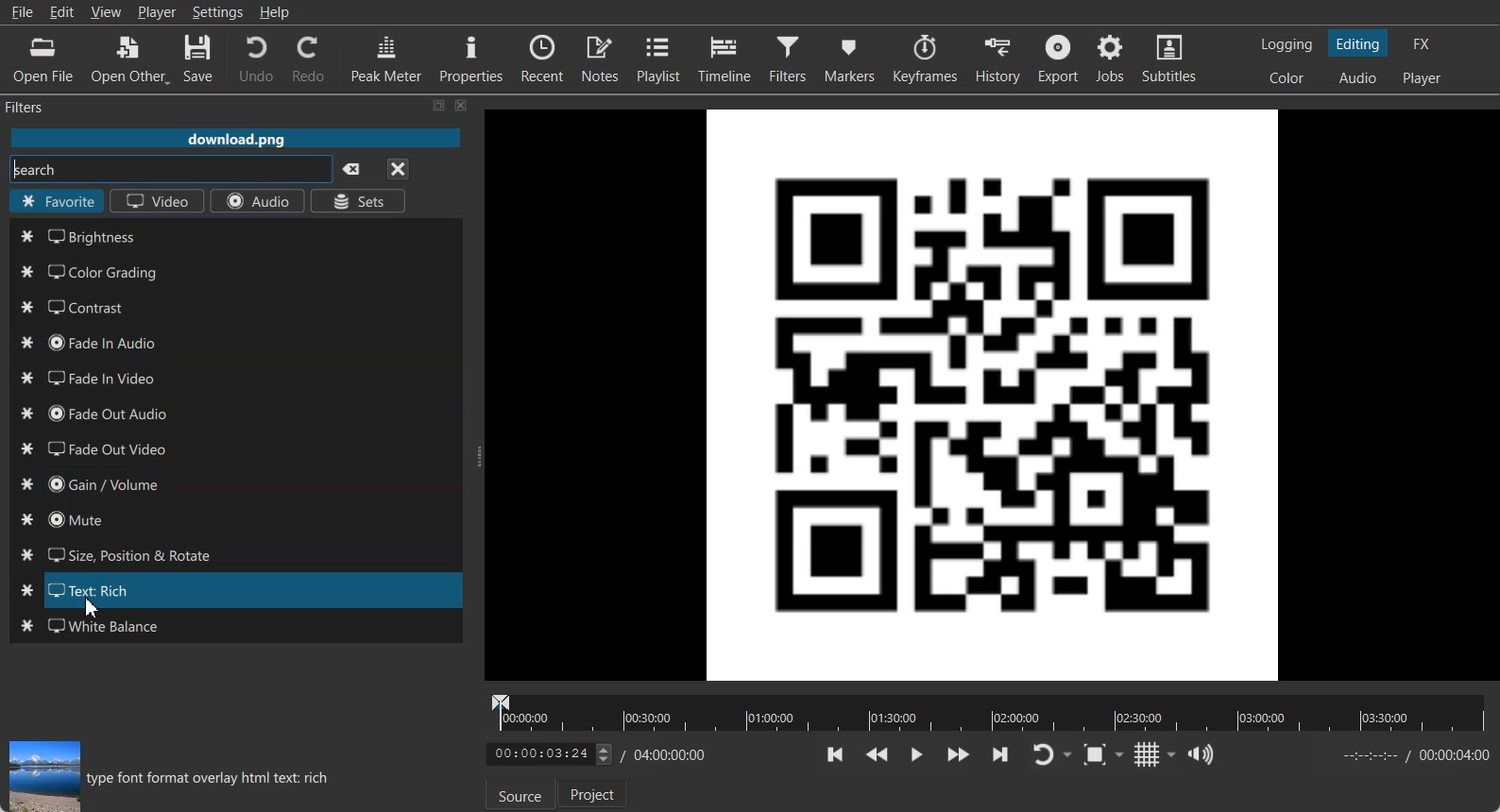 This screenshot has width=1500, height=812. What do you see at coordinates (212, 781) in the screenshot?
I see `Text` at bounding box center [212, 781].